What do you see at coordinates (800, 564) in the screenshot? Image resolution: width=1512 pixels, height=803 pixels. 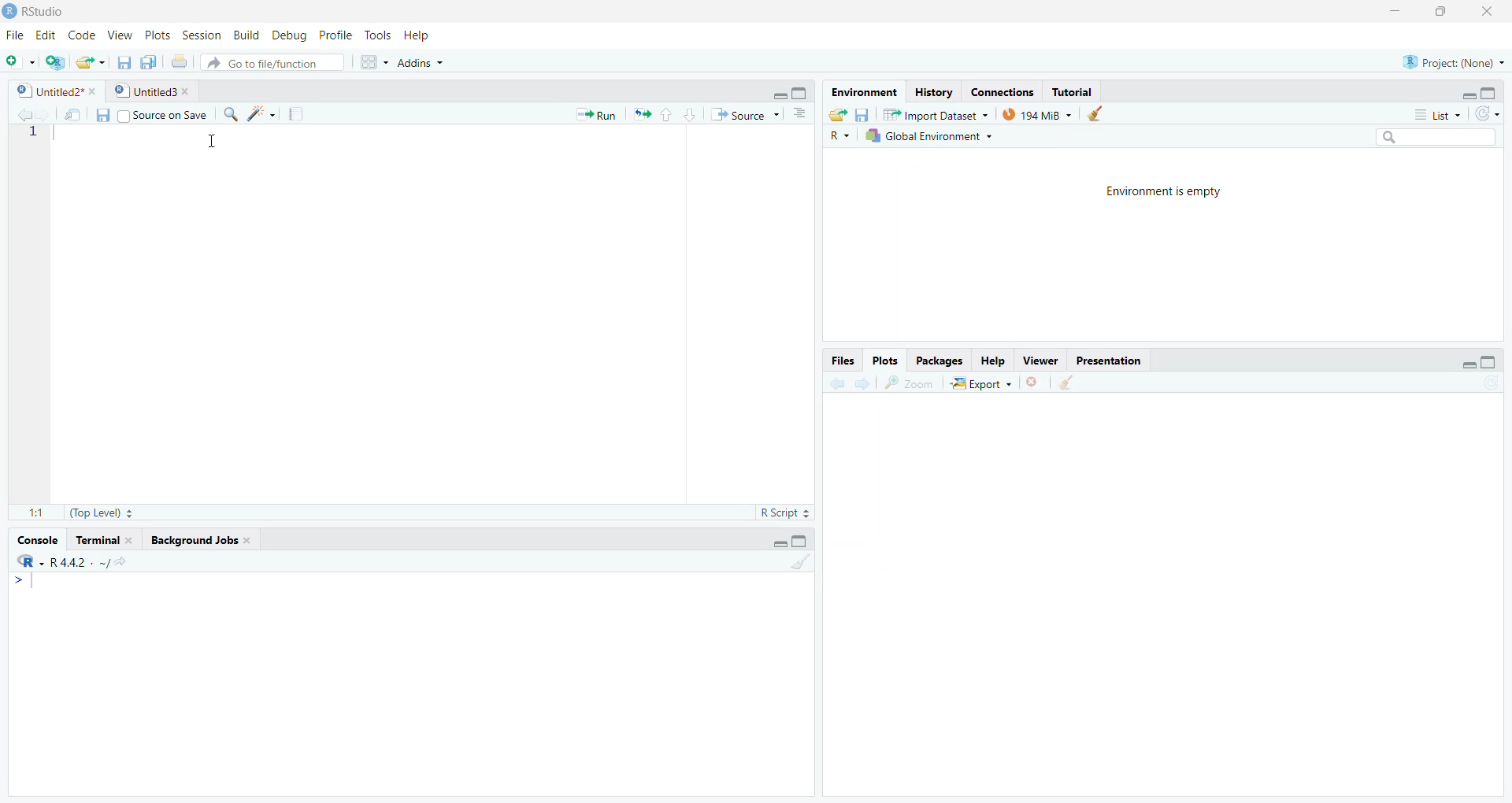 I see `Cleaner` at bounding box center [800, 564].